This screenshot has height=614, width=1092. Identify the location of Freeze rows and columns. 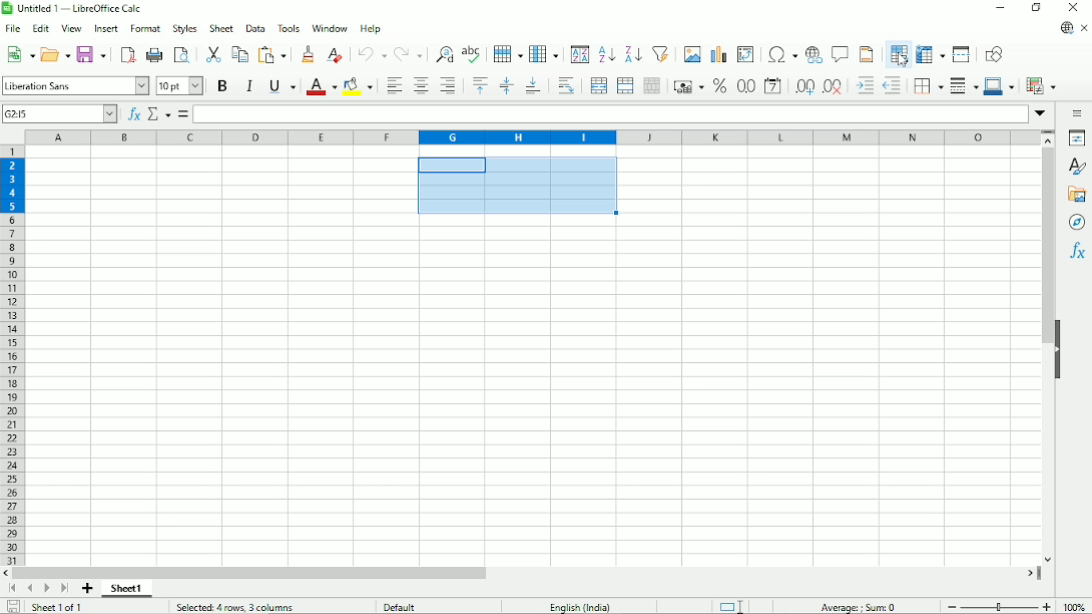
(930, 54).